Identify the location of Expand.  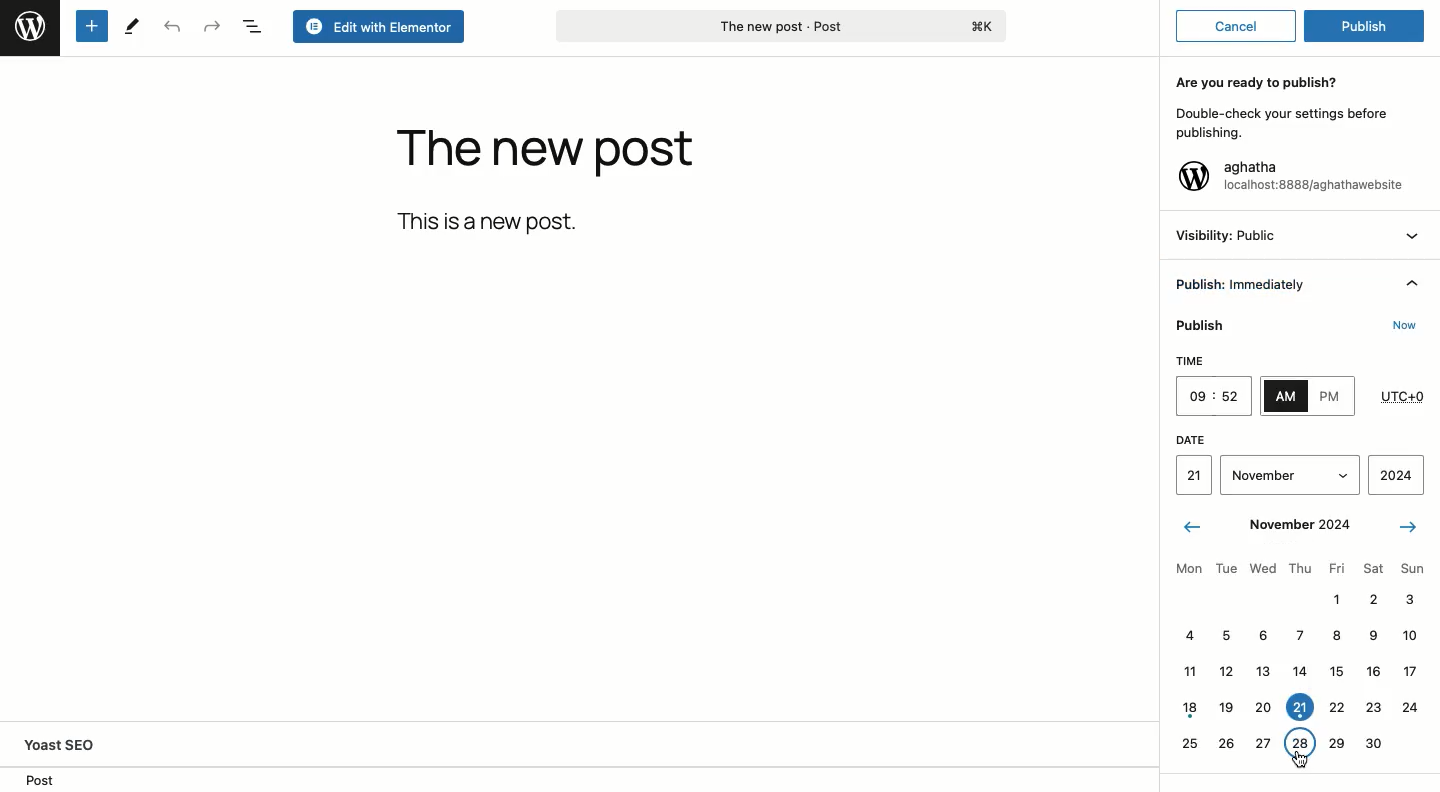
(1412, 286).